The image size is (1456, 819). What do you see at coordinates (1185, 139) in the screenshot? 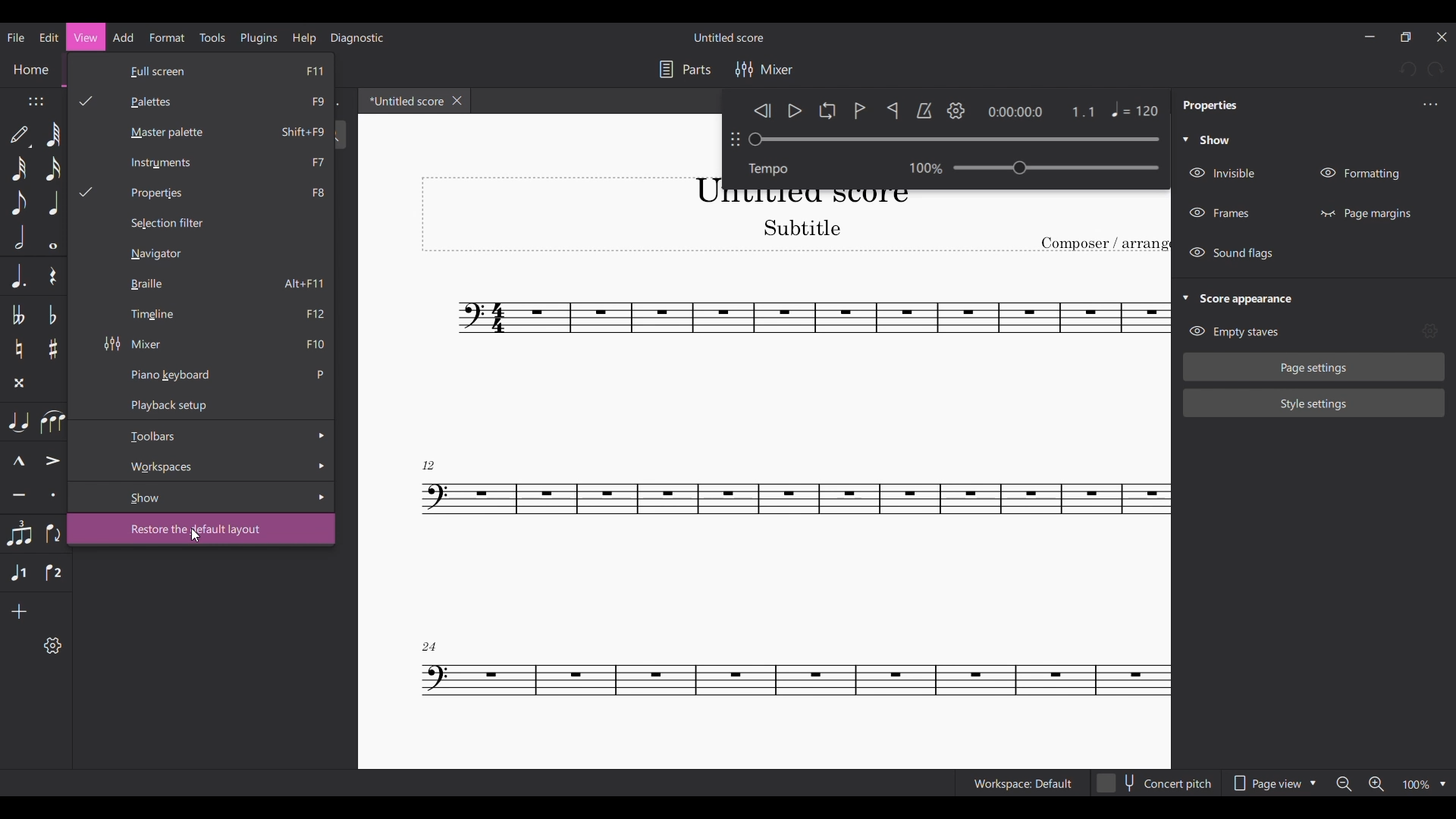
I see `Collapse` at bounding box center [1185, 139].